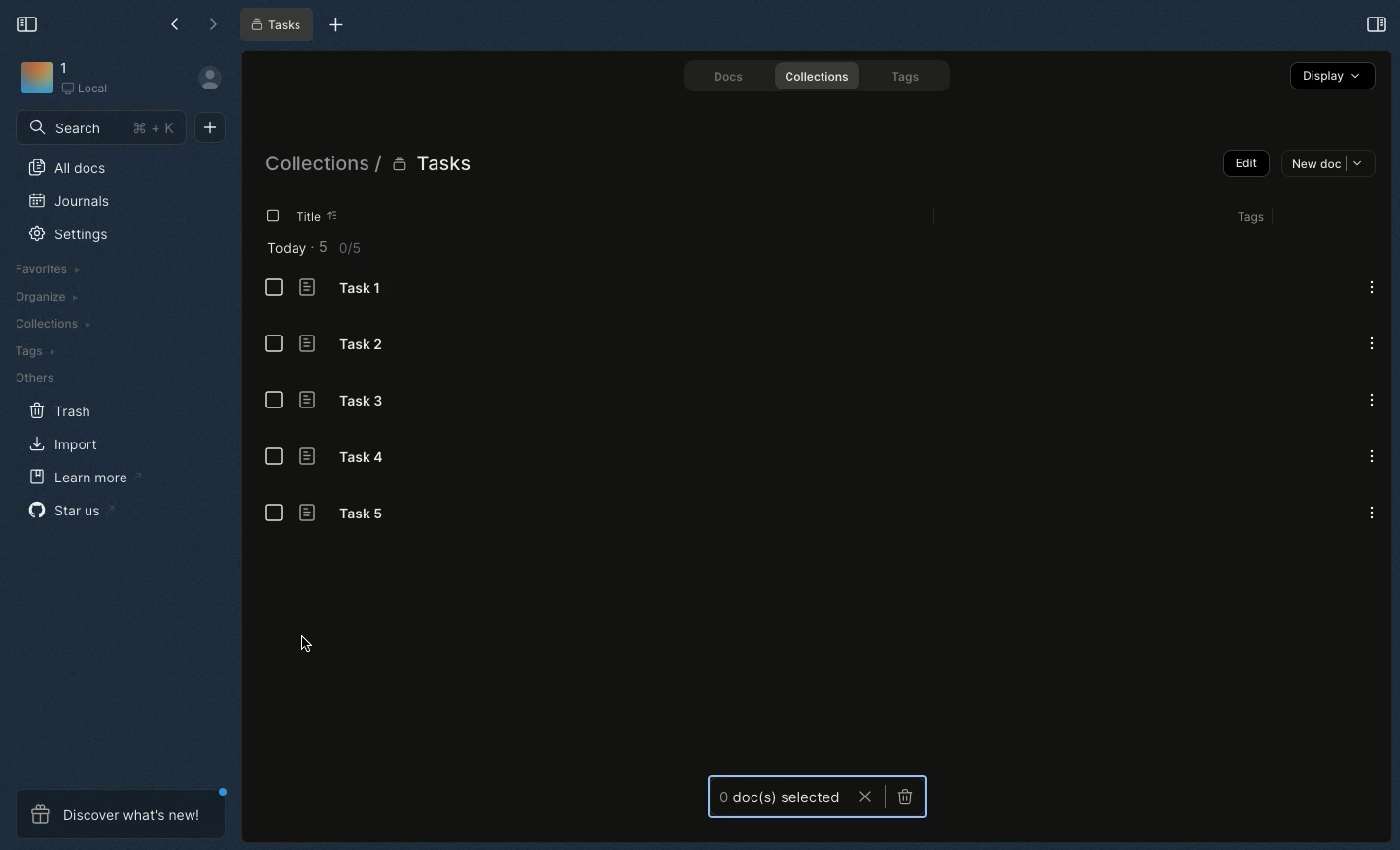 The width and height of the screenshot is (1400, 850). I want to click on Settings, so click(69, 234).